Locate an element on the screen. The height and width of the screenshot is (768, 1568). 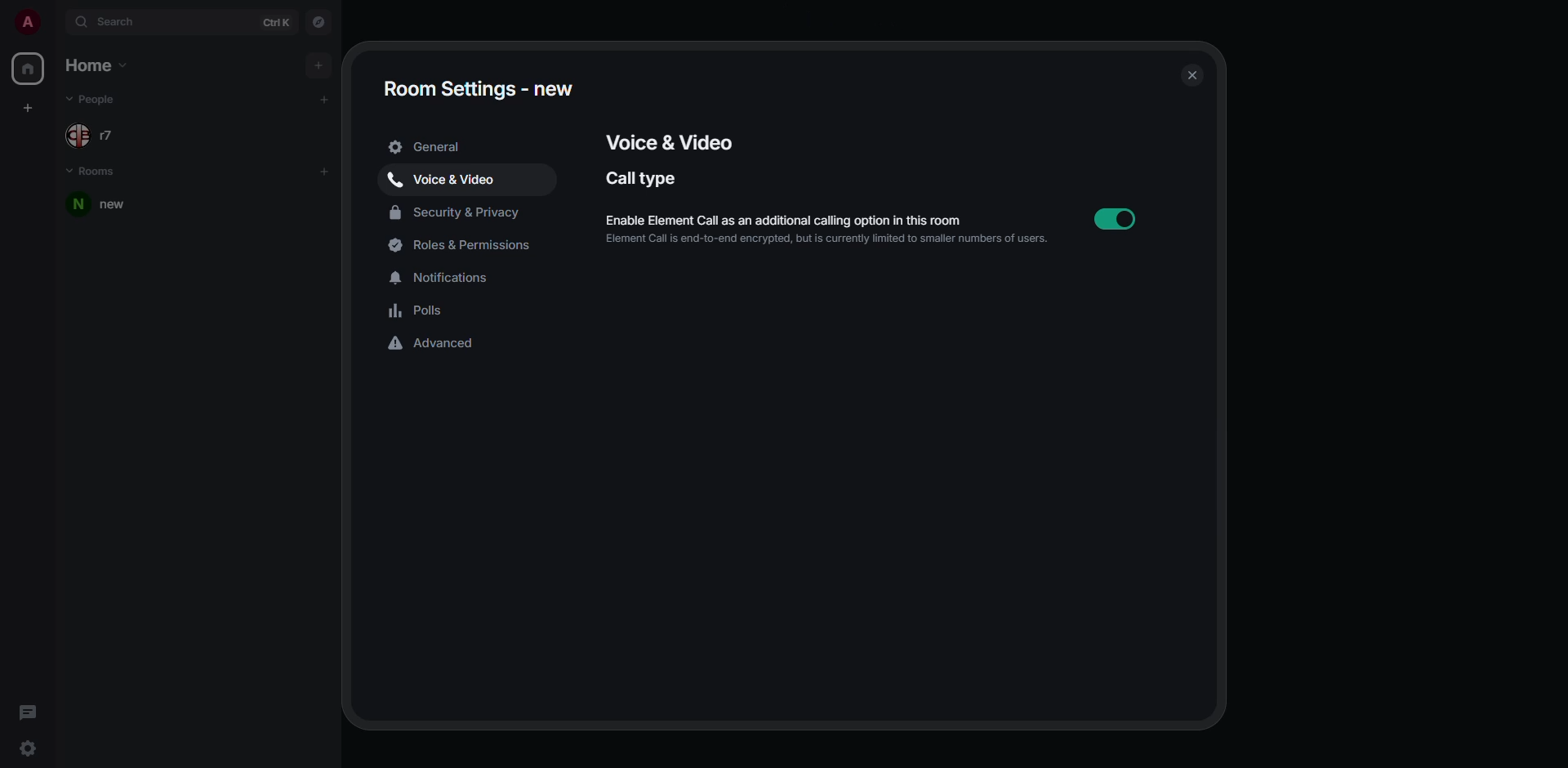
enabled is located at coordinates (1114, 218).